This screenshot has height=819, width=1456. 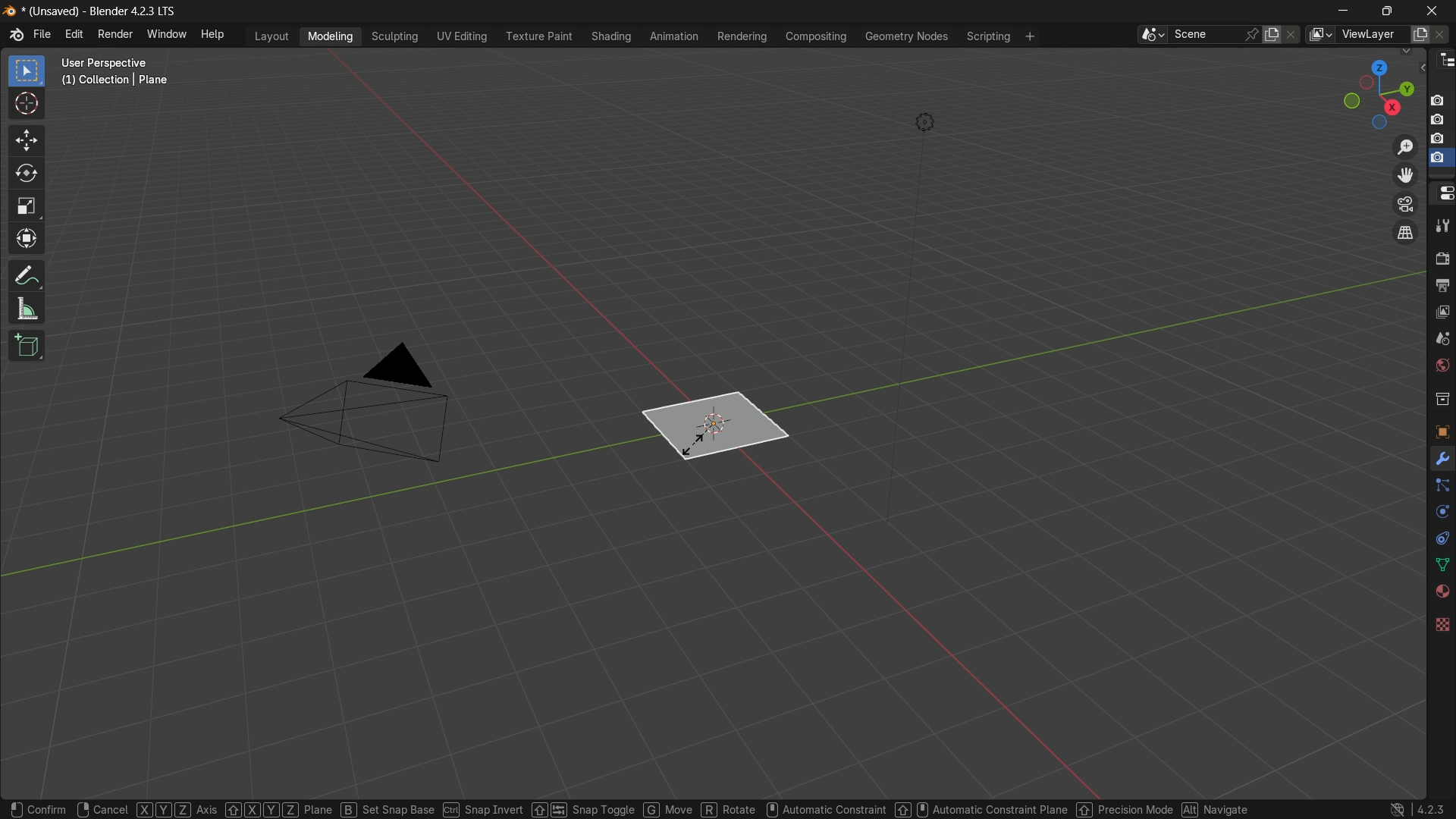 I want to click on move, so click(x=680, y=808).